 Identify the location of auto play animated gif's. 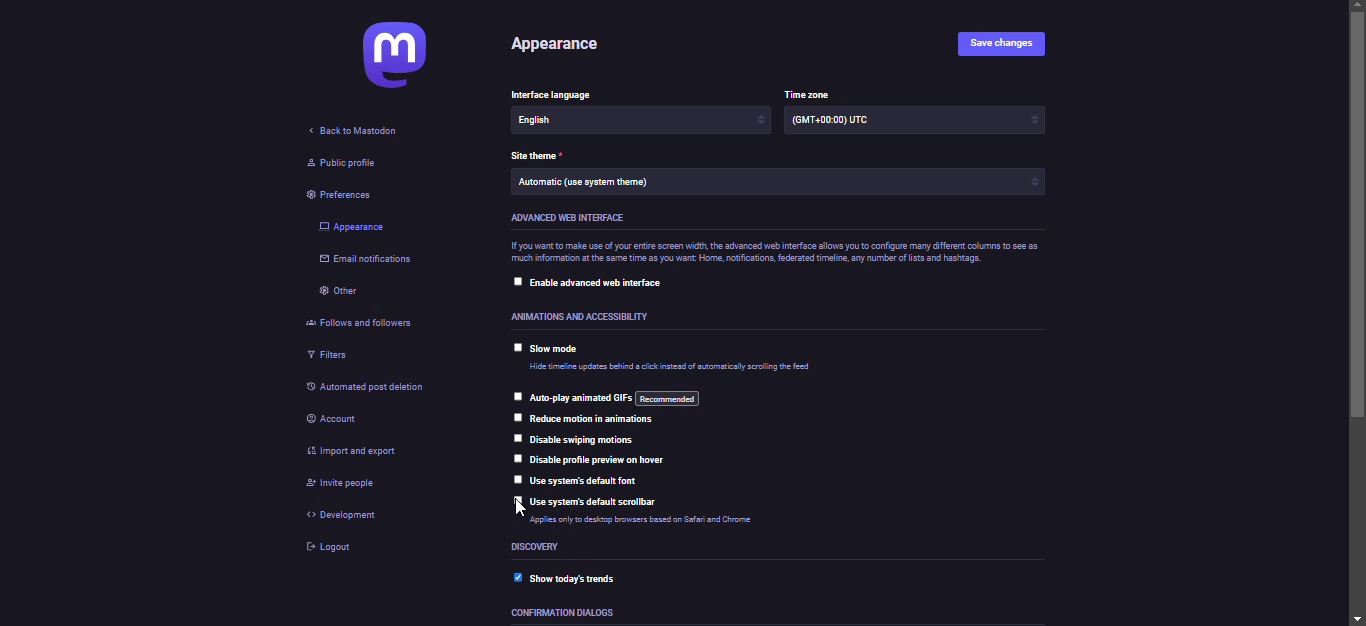
(616, 397).